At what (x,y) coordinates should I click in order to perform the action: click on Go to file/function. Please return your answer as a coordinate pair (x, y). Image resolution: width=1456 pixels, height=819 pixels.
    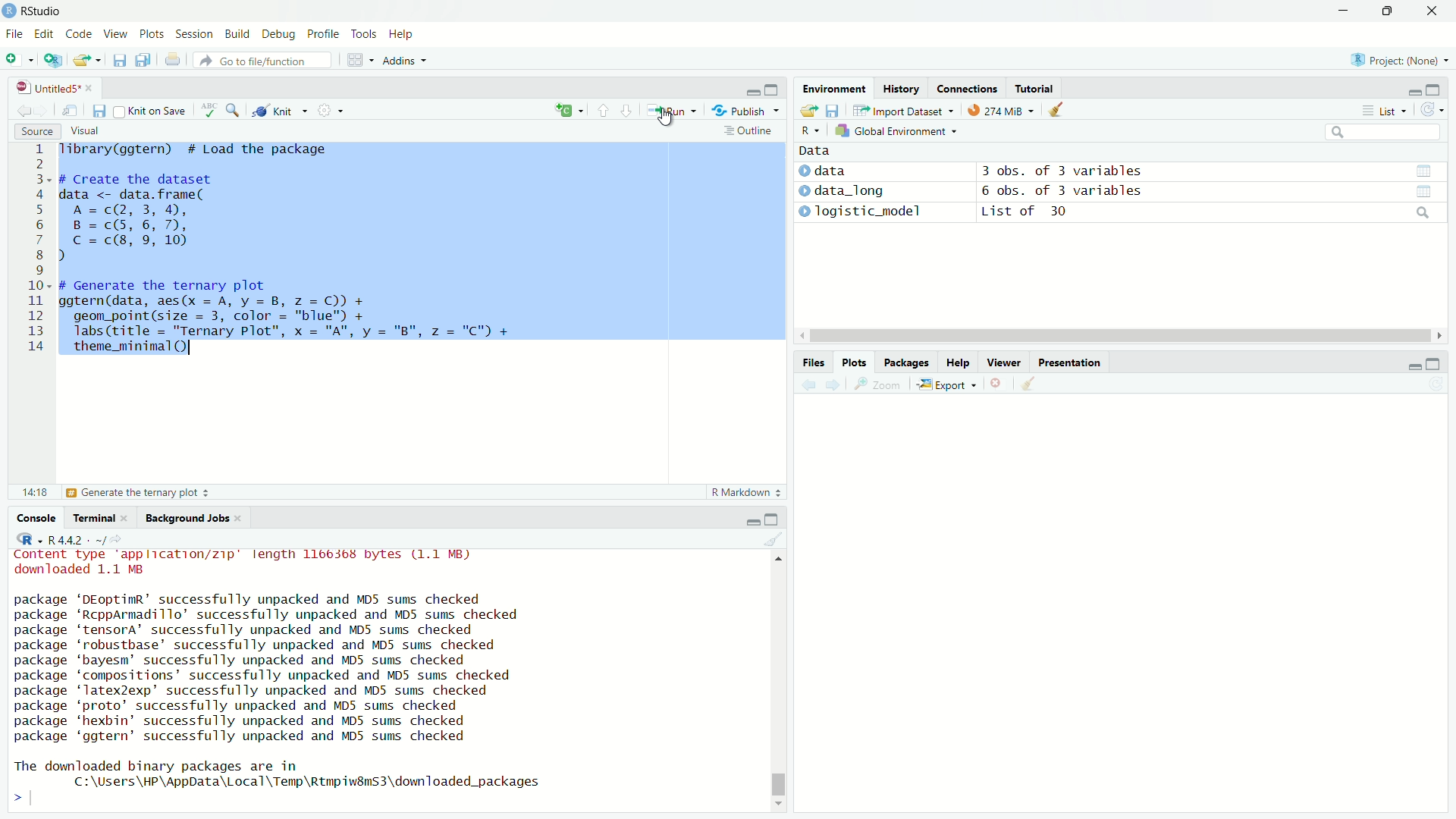
    Looking at the image, I should click on (256, 60).